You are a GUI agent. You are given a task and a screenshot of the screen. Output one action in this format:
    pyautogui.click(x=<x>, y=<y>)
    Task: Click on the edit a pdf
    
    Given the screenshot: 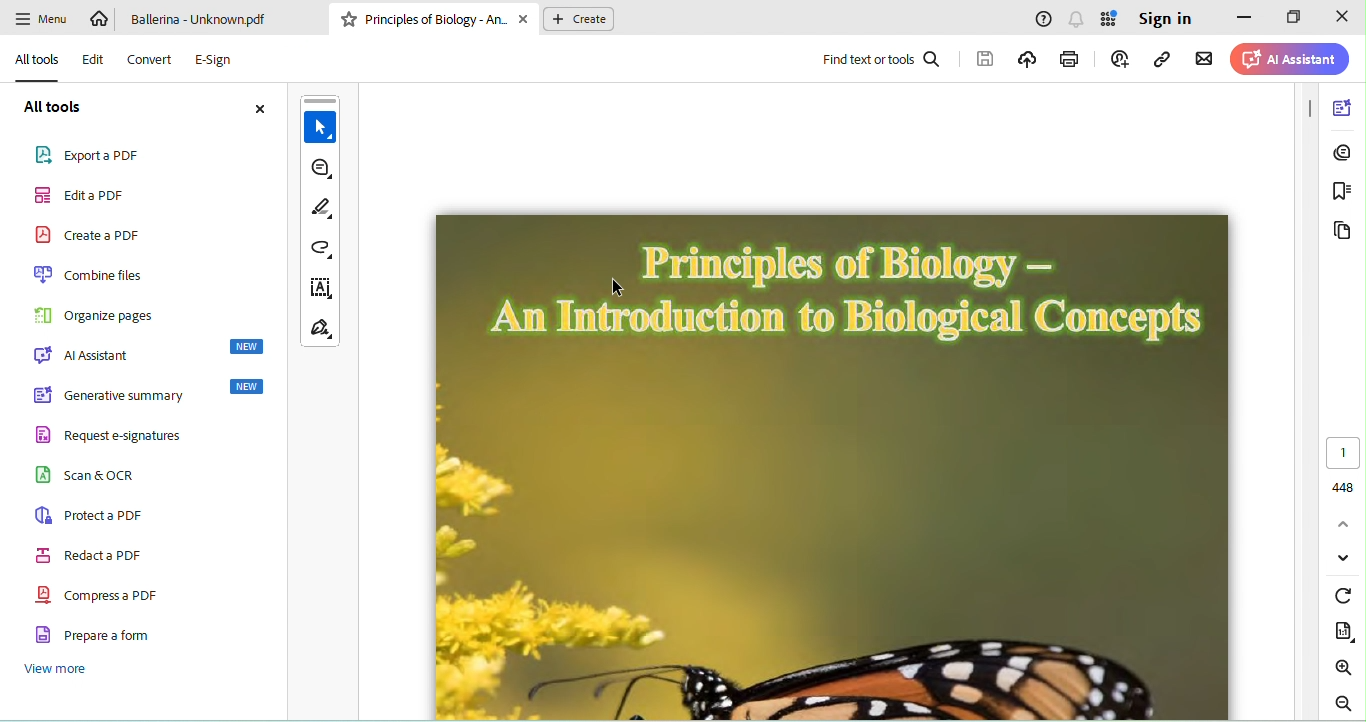 What is the action you would take?
    pyautogui.click(x=88, y=195)
    